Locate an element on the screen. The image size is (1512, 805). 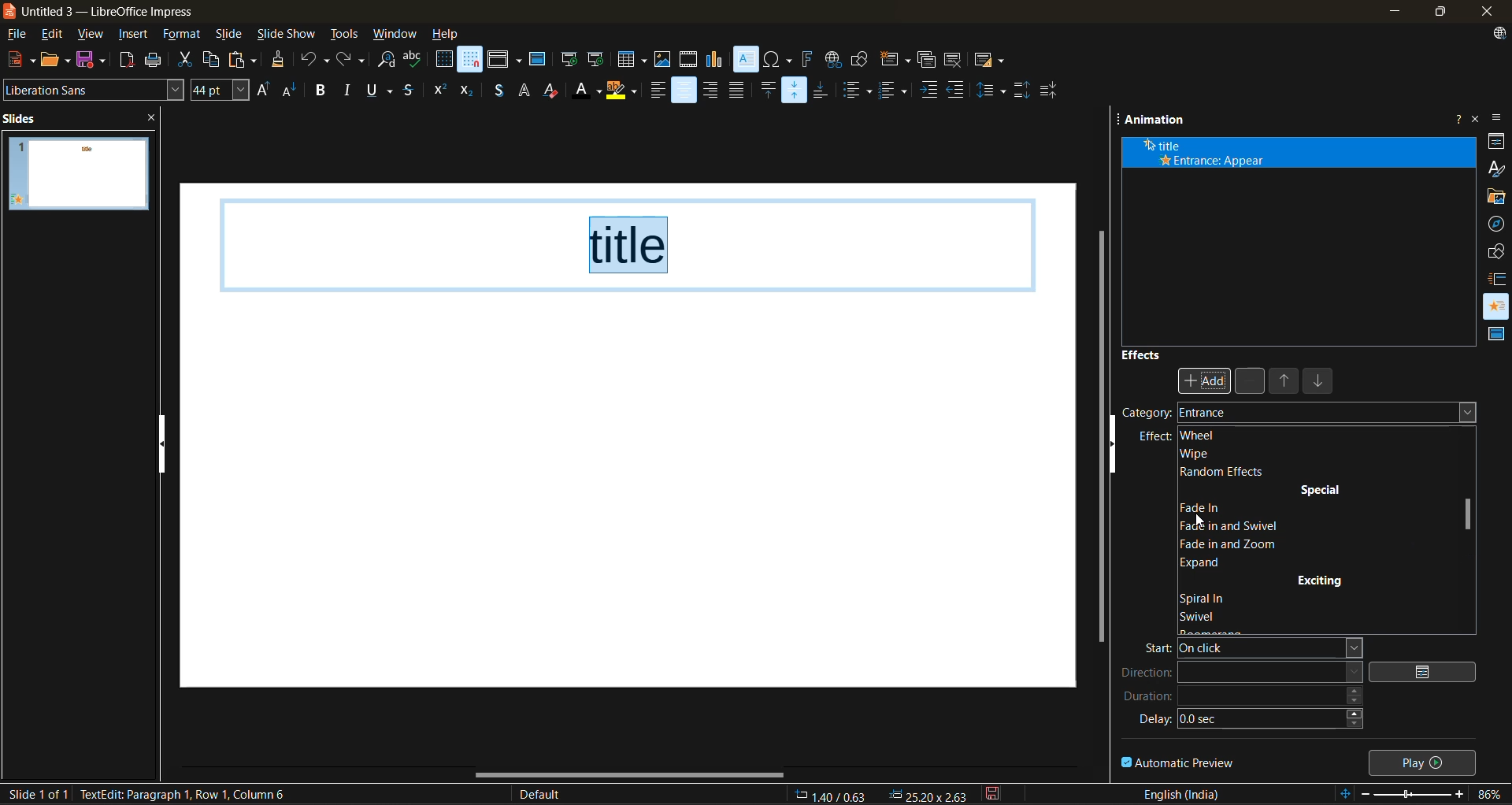
effect is located at coordinates (1156, 437).